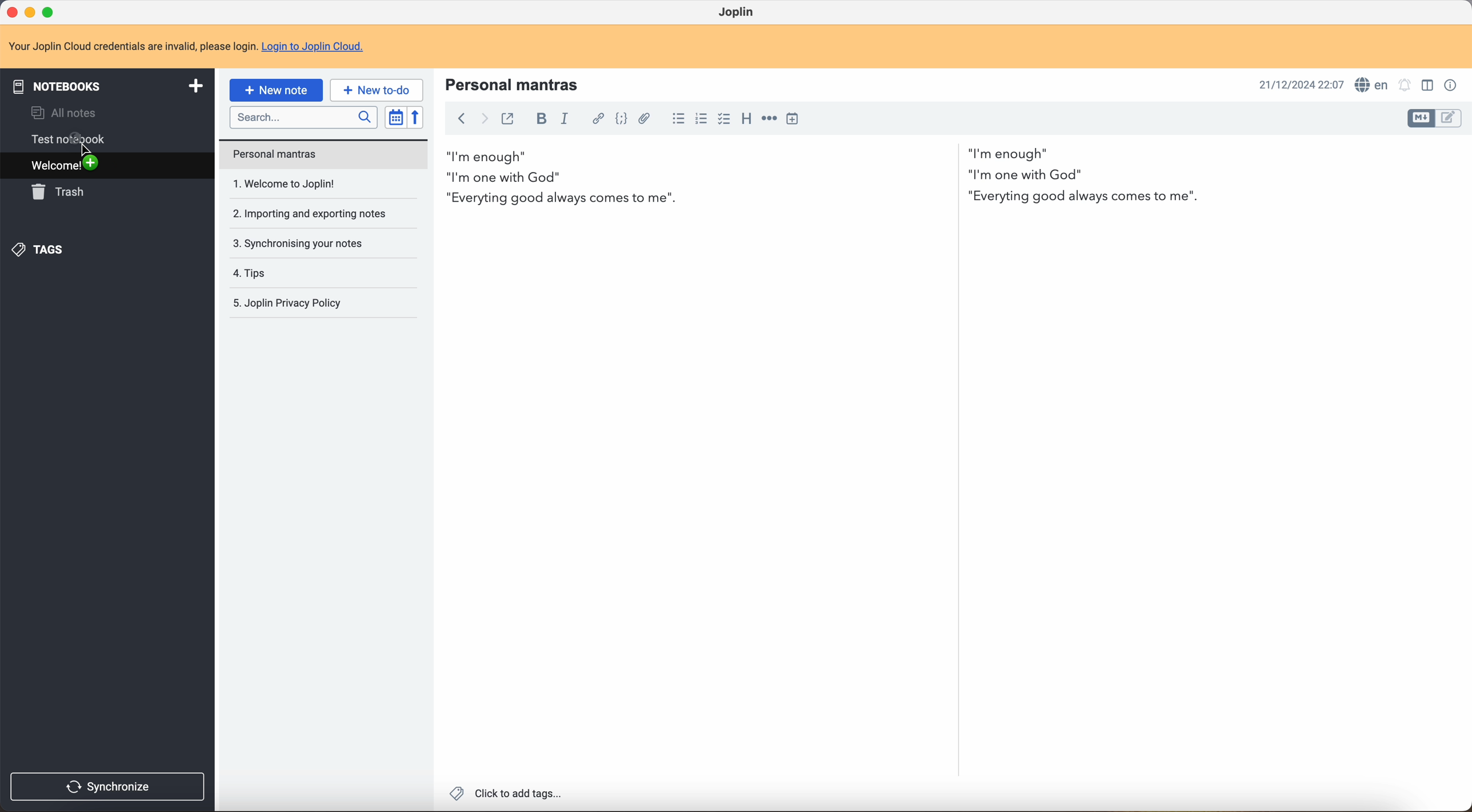  I want to click on toggle editor layout, so click(1430, 85).